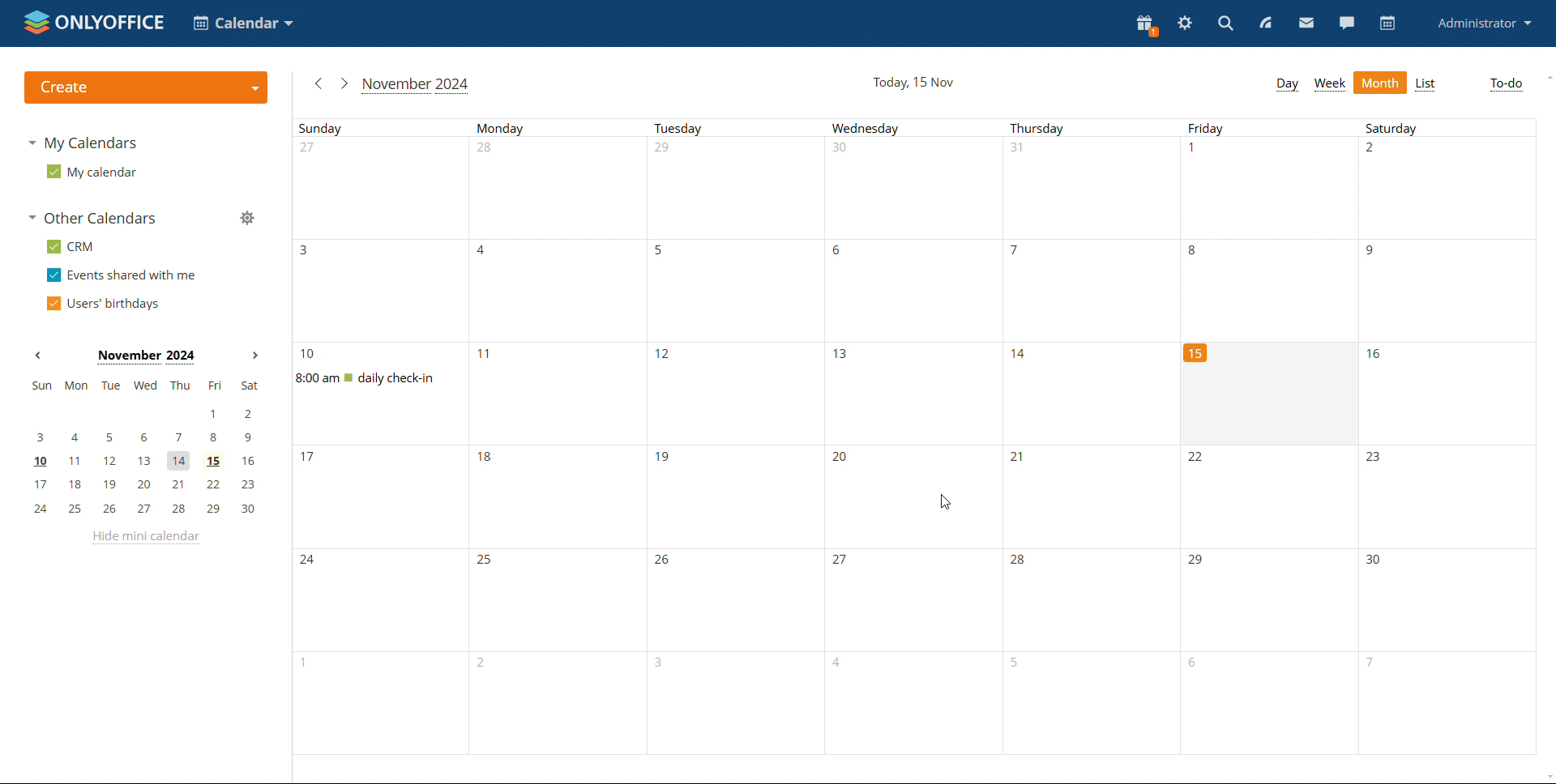  Describe the element at coordinates (1197, 460) in the screenshot. I see `Number` at that location.